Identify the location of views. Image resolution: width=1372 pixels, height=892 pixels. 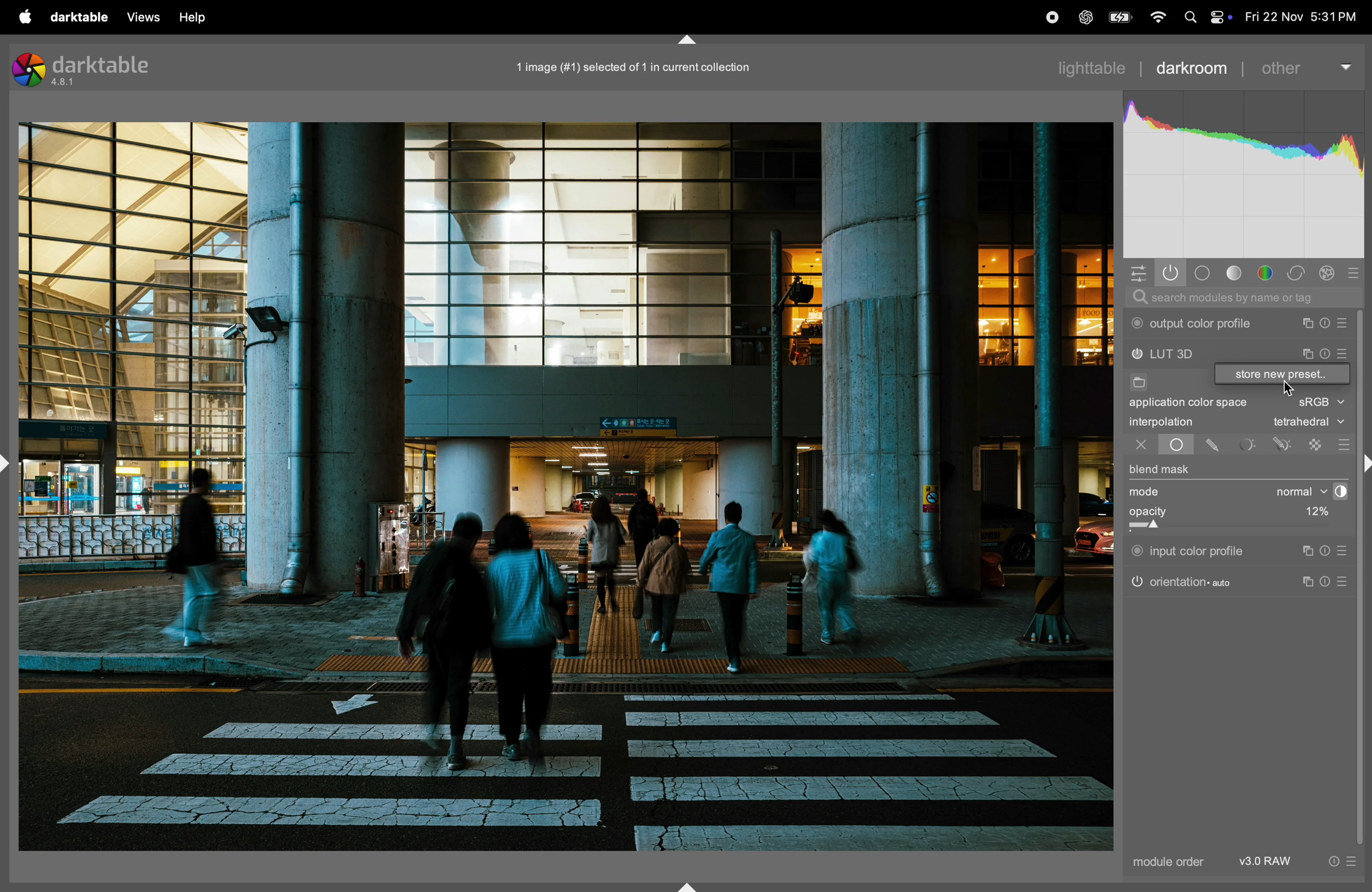
(140, 17).